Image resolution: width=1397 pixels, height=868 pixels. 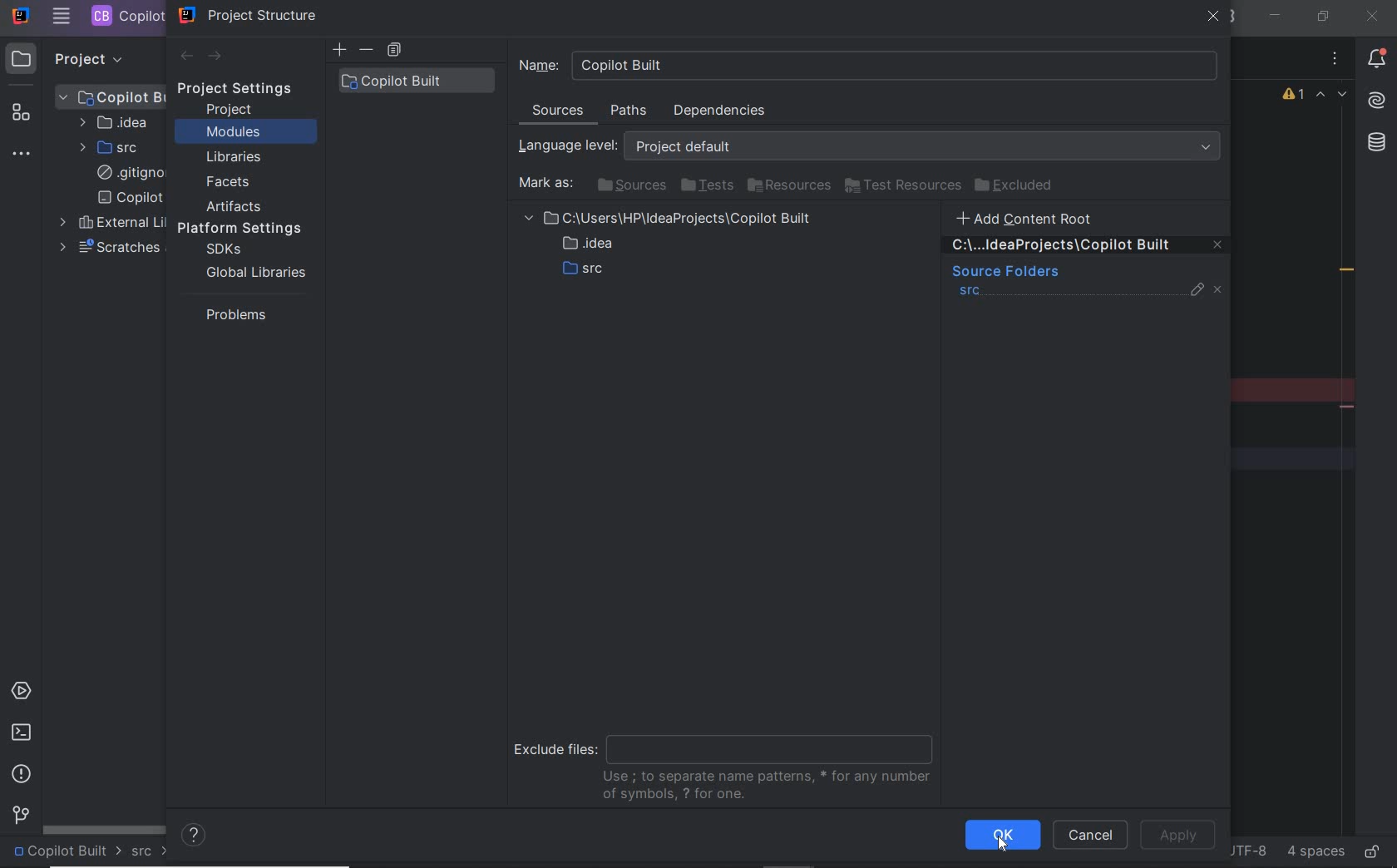 What do you see at coordinates (232, 314) in the screenshot?
I see `problems` at bounding box center [232, 314].